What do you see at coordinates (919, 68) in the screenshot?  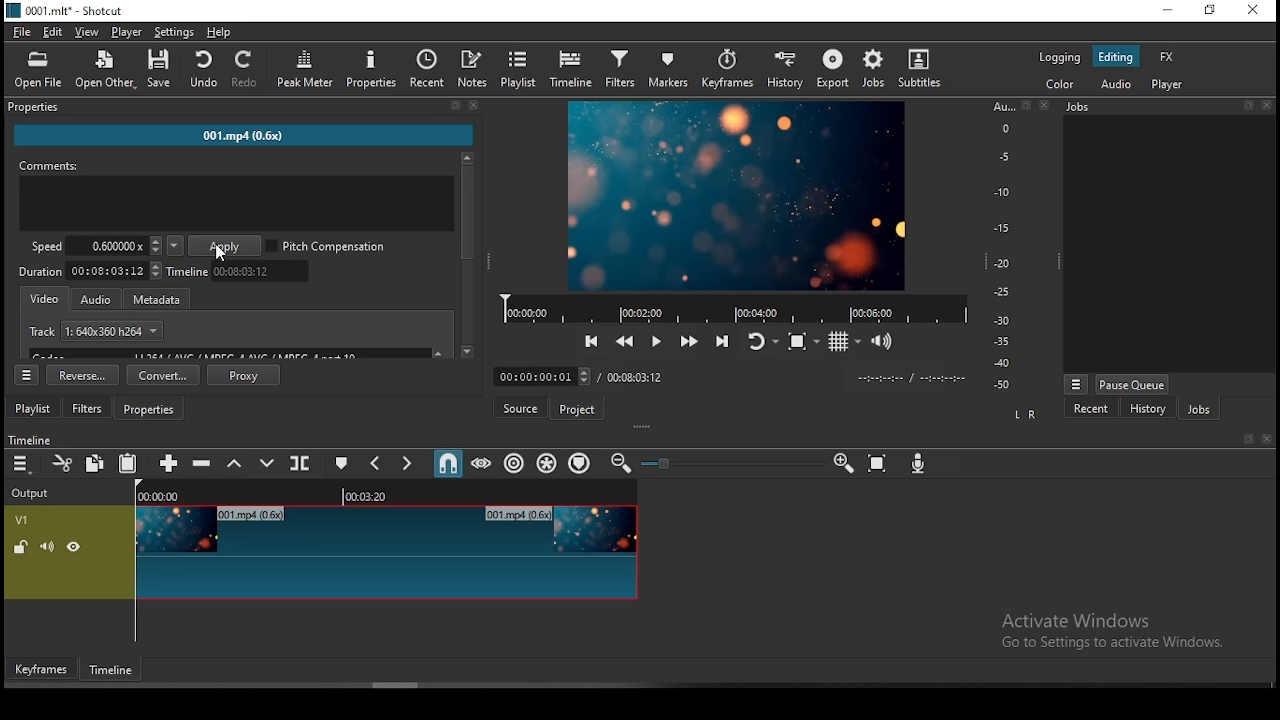 I see `subtitles` at bounding box center [919, 68].